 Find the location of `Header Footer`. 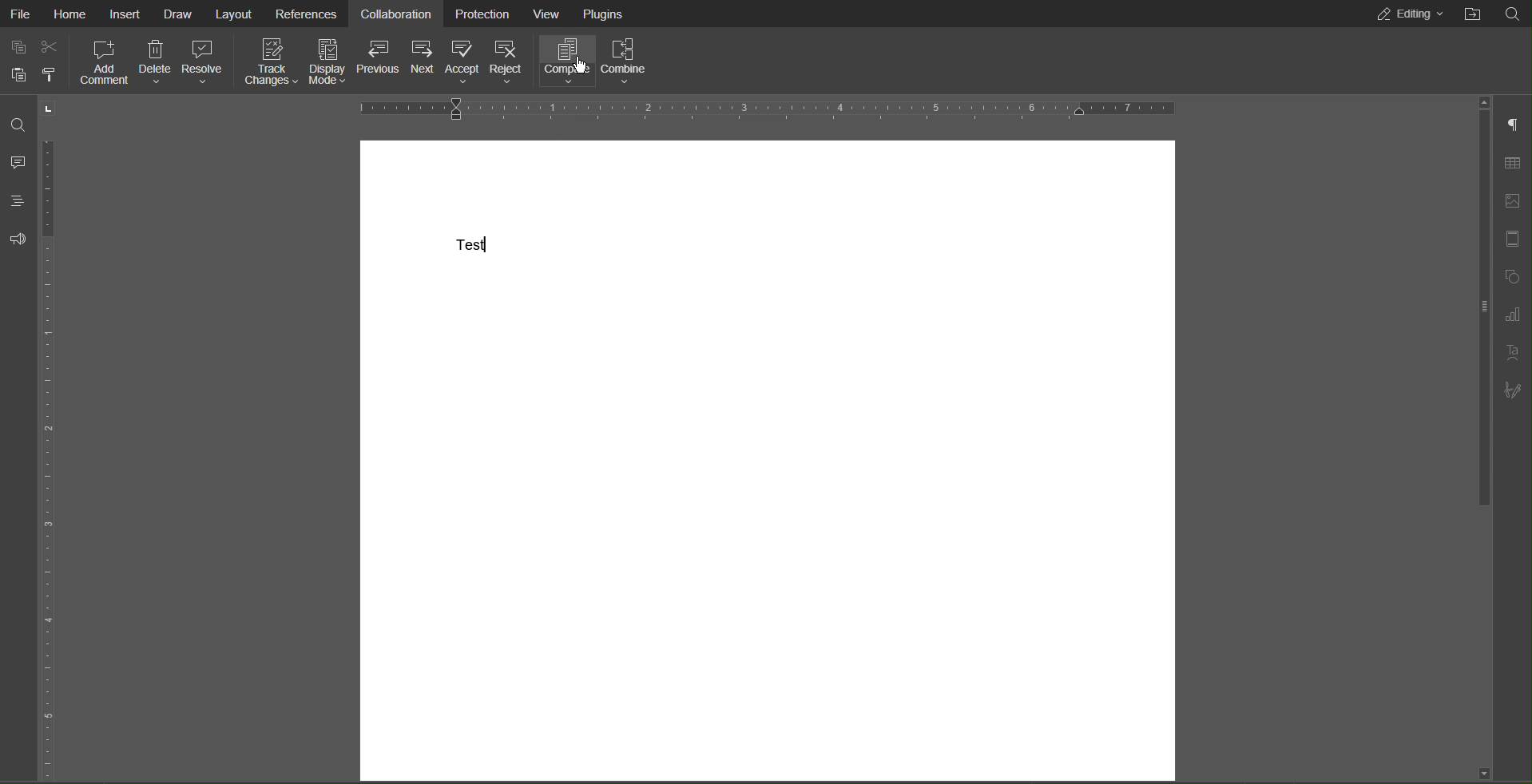

Header Footer is located at coordinates (1511, 240).